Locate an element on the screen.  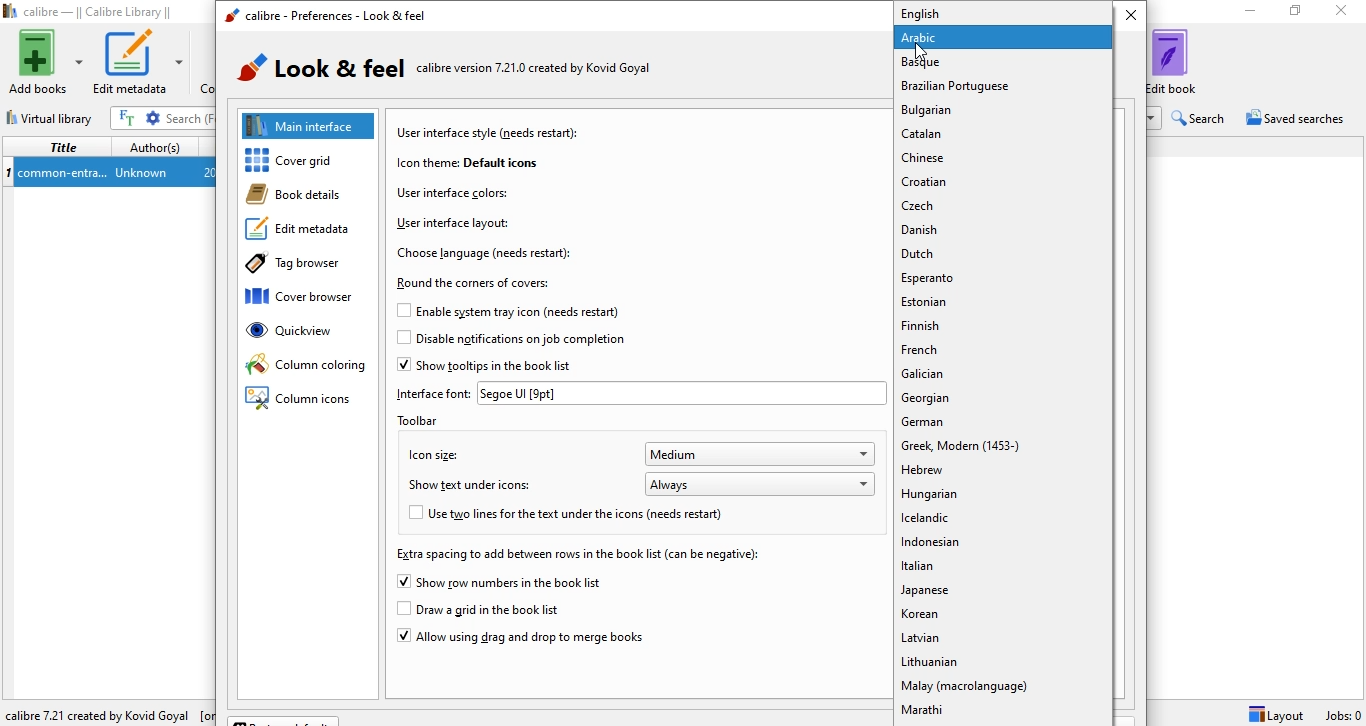
georgian is located at coordinates (1005, 401).